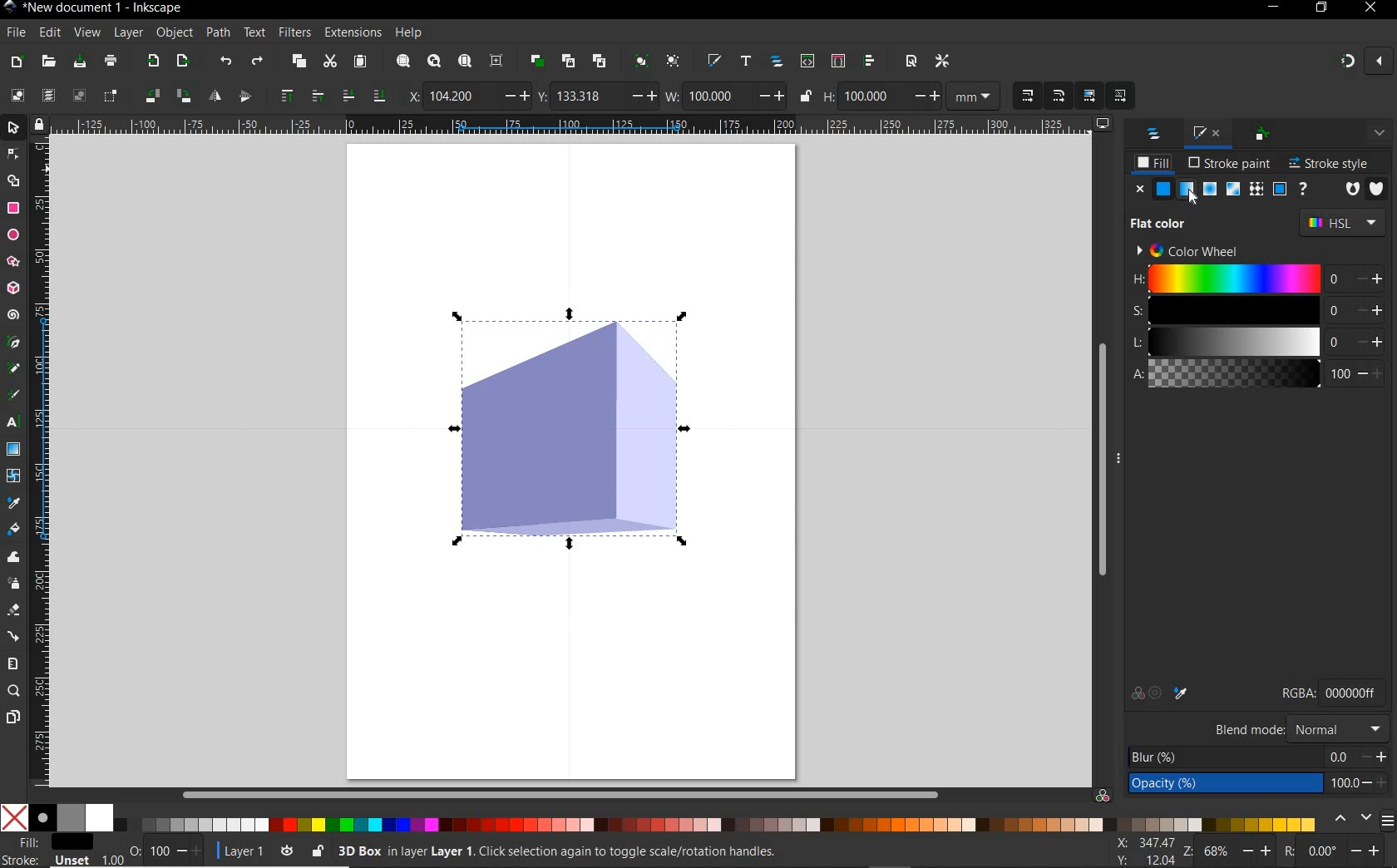 The height and width of the screenshot is (868, 1397). Describe the element at coordinates (378, 97) in the screenshot. I see `LOWER SELECTION` at that location.